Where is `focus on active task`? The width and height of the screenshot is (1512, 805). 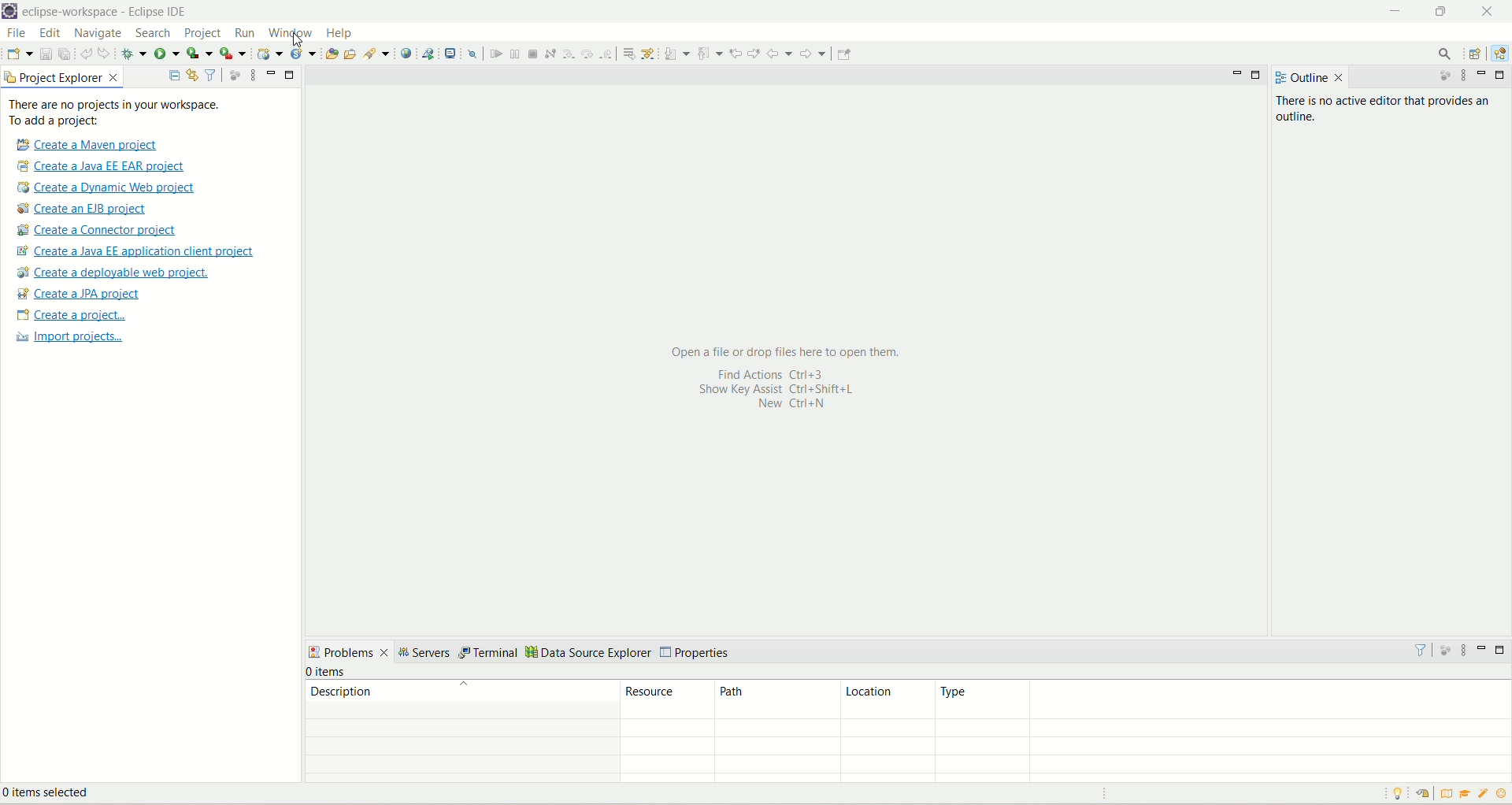 focus on active task is located at coordinates (1439, 77).